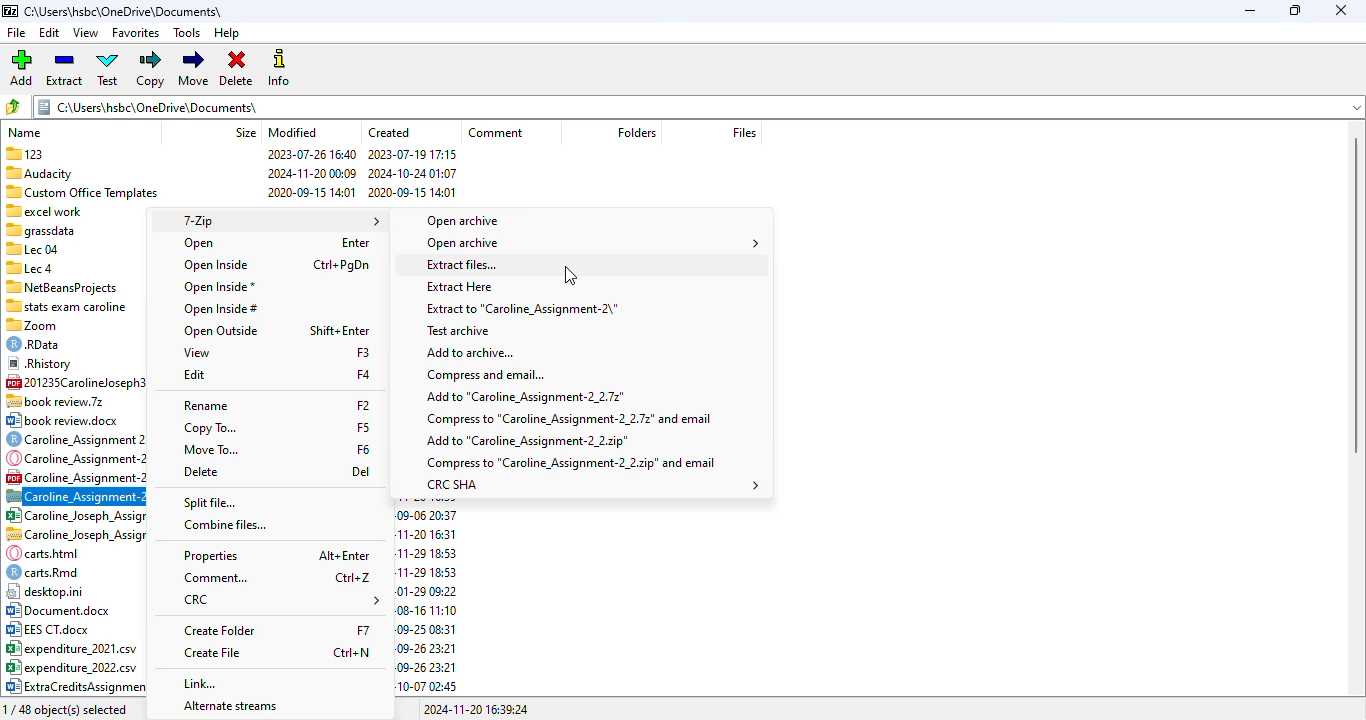  Describe the element at coordinates (77, 439) in the screenshot. I see `) Caroline_Assignment 2.... 5703 2023-10-06 15:41 2023-09-26 23:53` at that location.